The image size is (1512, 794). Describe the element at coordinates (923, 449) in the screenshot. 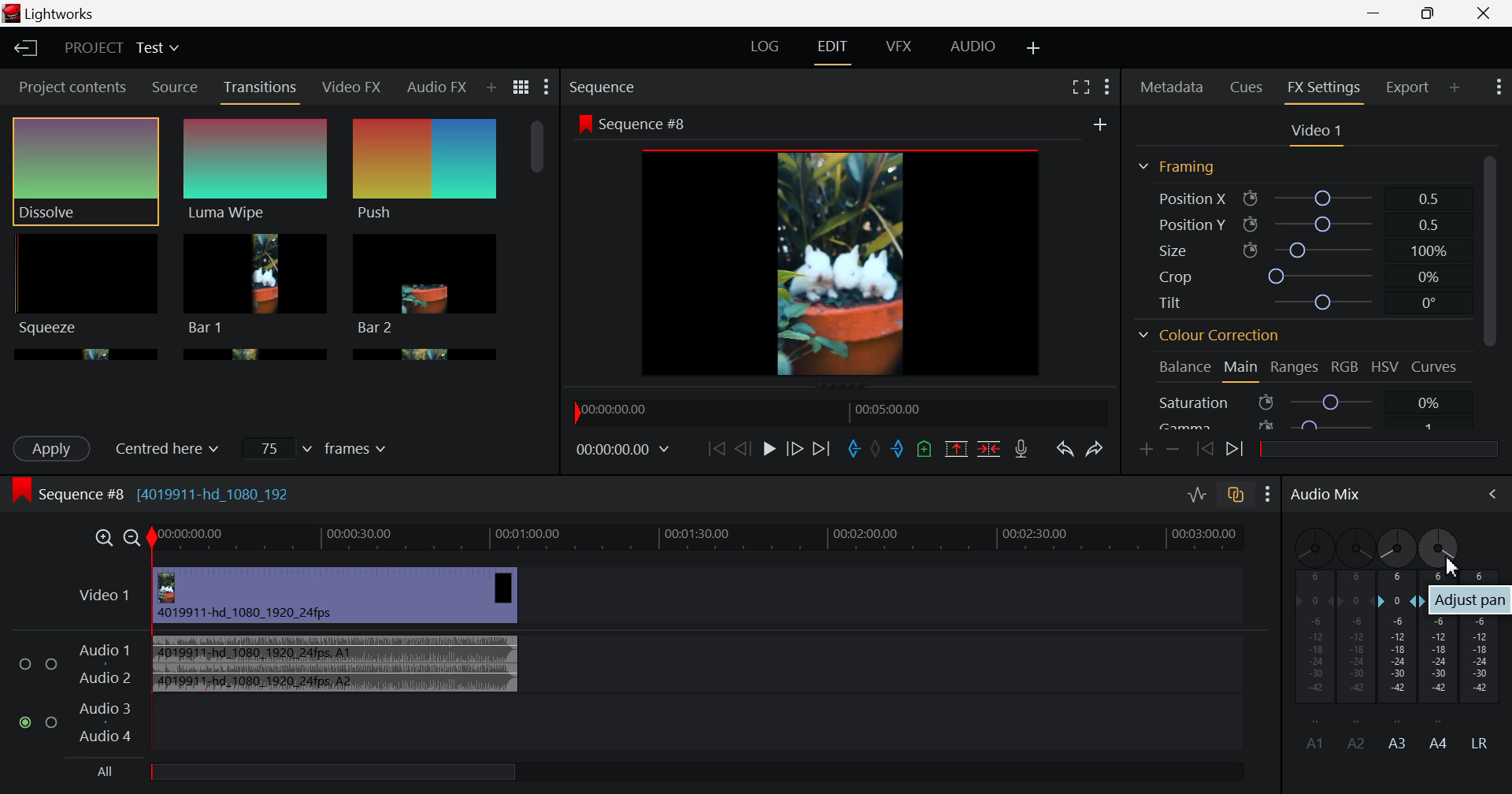

I see `Mark Cue` at that location.